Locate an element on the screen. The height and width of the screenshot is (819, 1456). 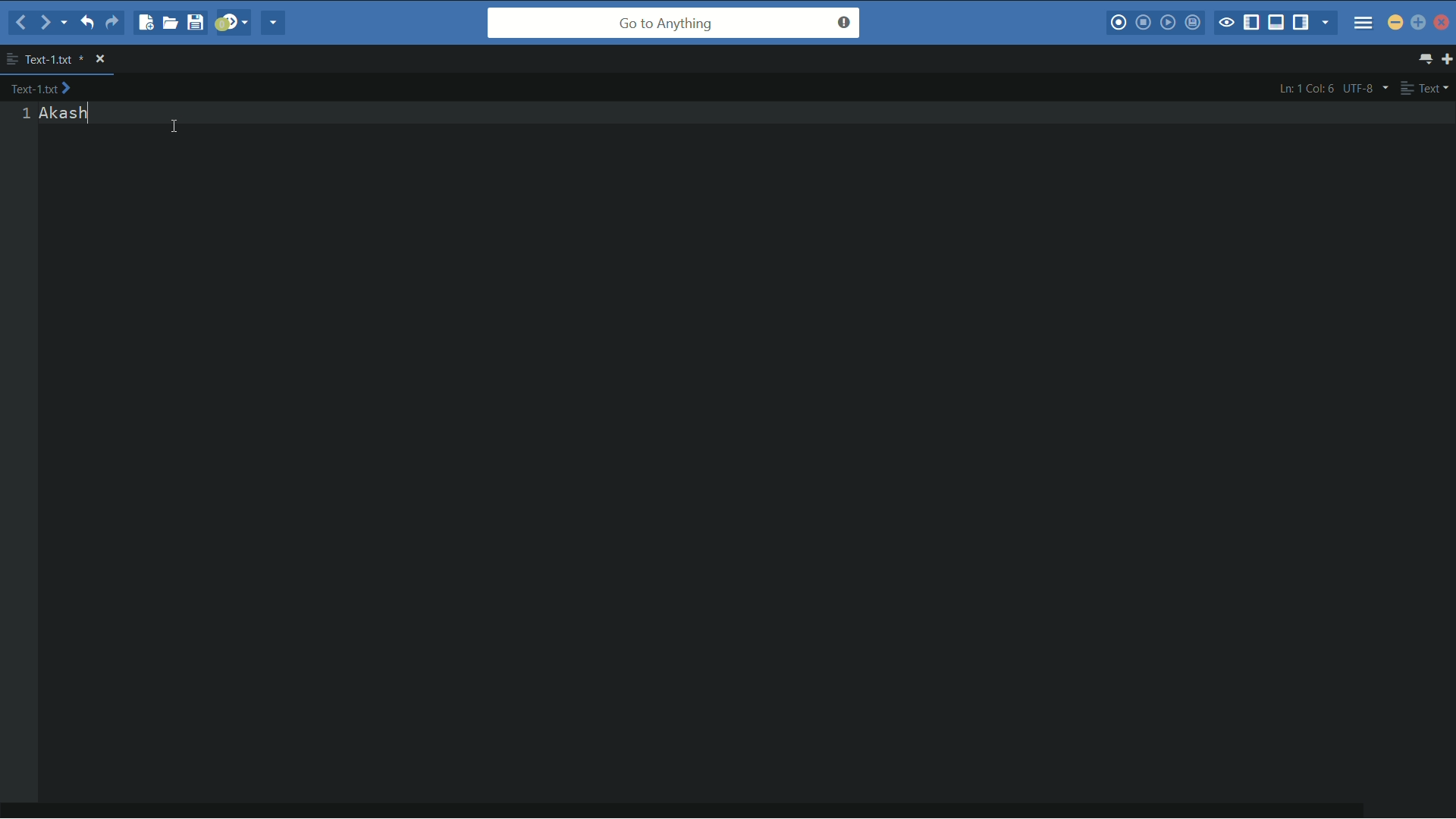
record macro is located at coordinates (1119, 21).